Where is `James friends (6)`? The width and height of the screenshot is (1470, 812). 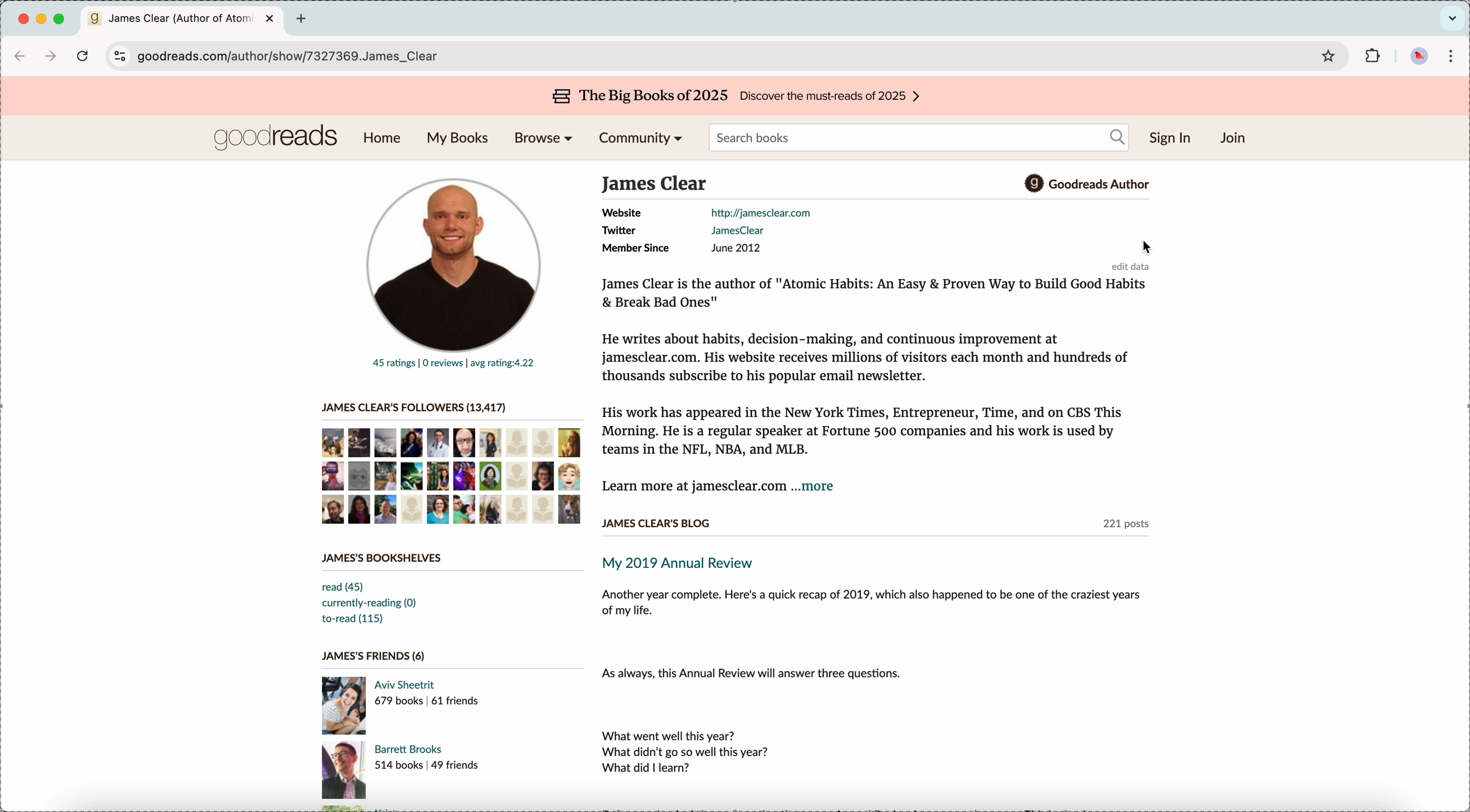
James friends (6) is located at coordinates (374, 656).